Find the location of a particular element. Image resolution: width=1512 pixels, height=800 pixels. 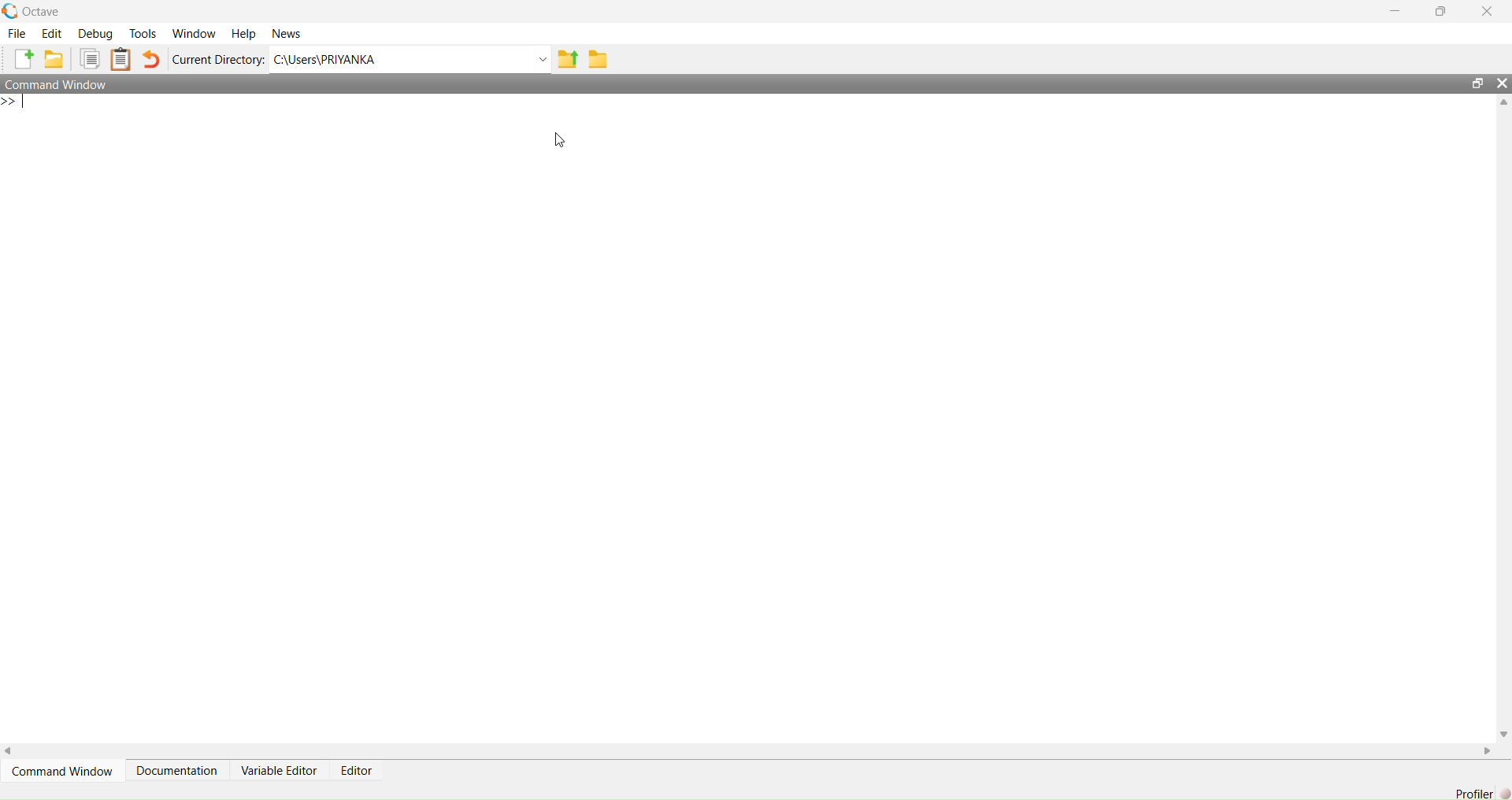

horizontal scroll bar is located at coordinates (749, 750).